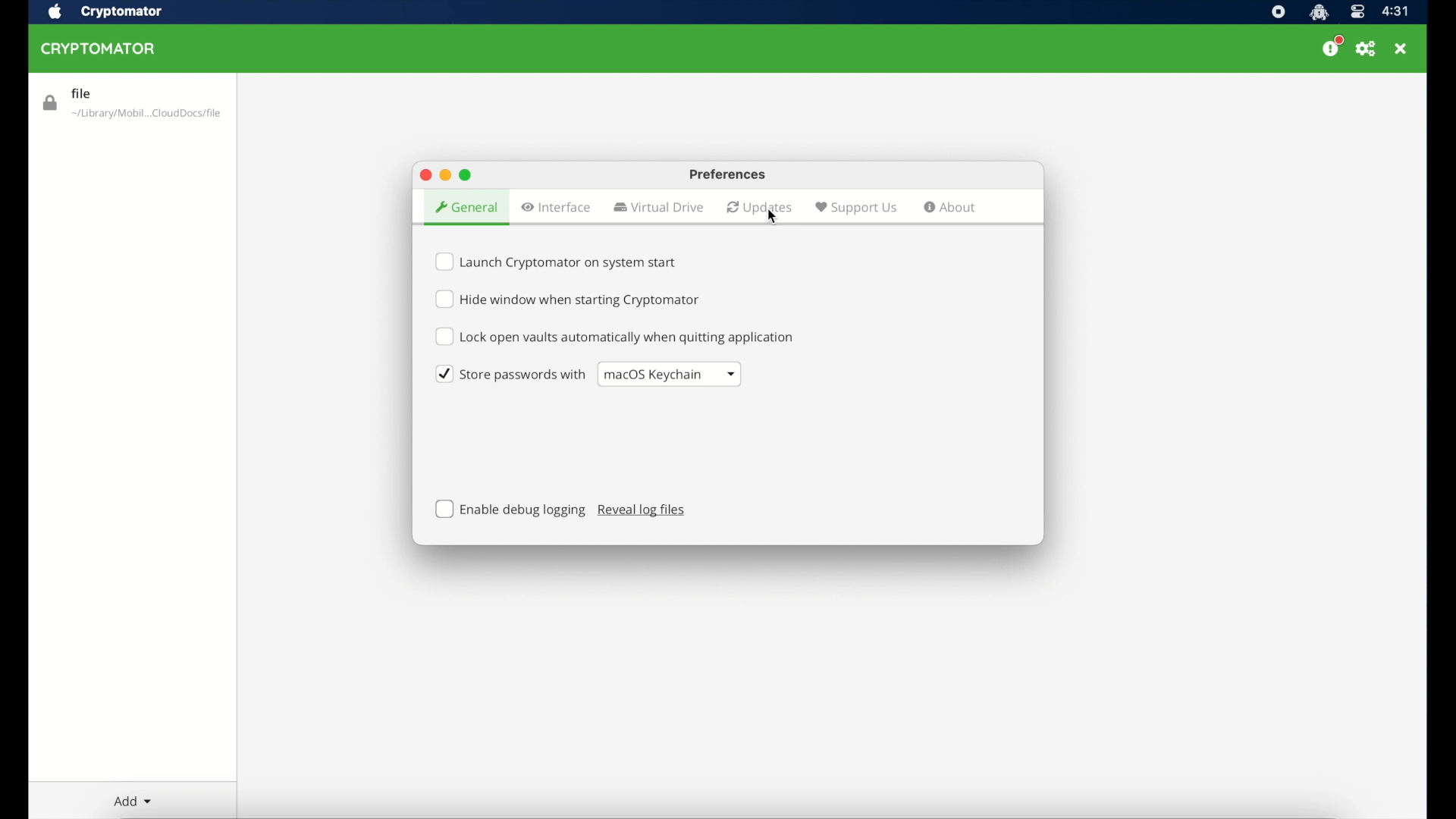 The height and width of the screenshot is (819, 1456). Describe the element at coordinates (466, 174) in the screenshot. I see `maximize` at that location.